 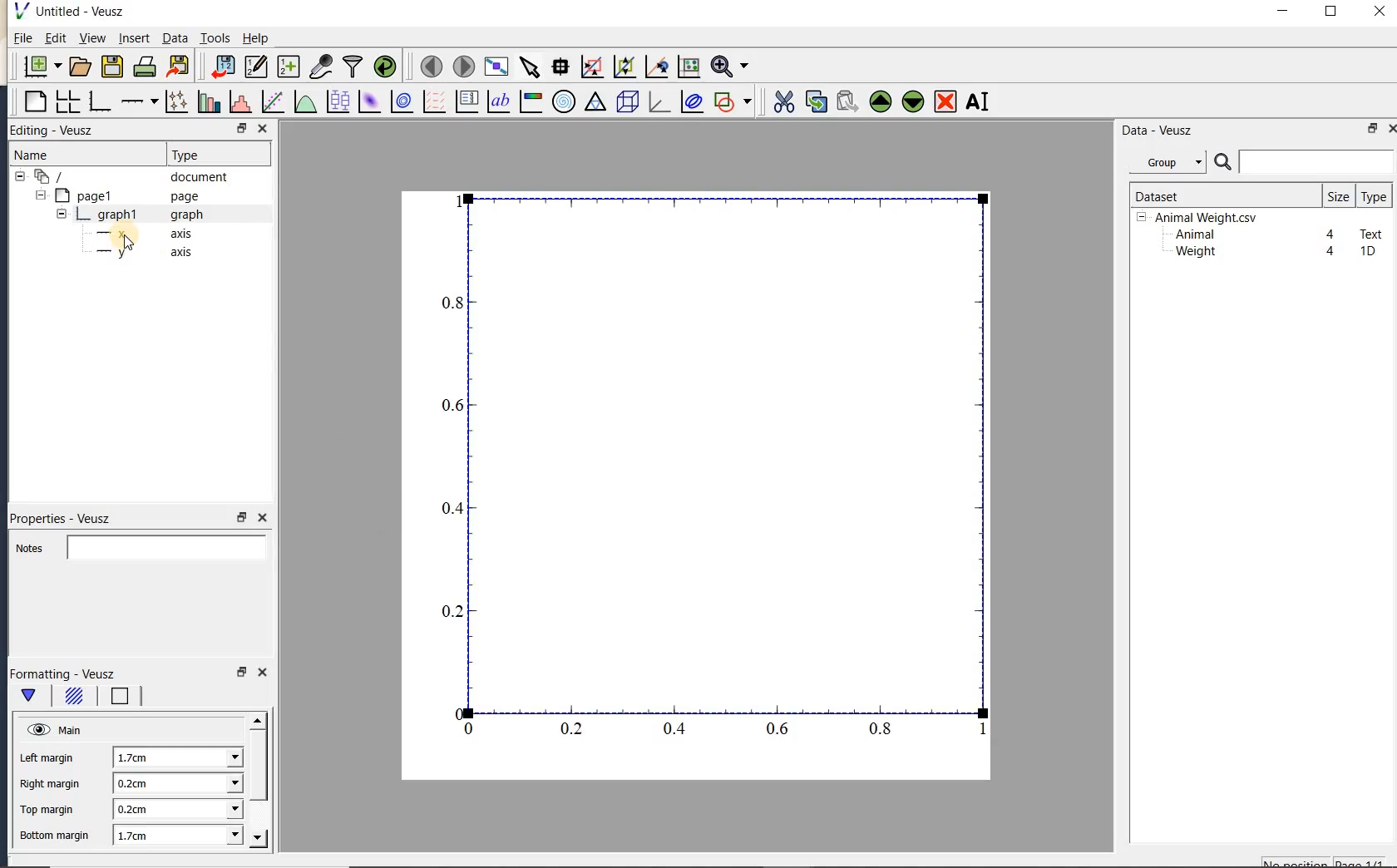 What do you see at coordinates (944, 103) in the screenshot?
I see `remove the selected widget` at bounding box center [944, 103].